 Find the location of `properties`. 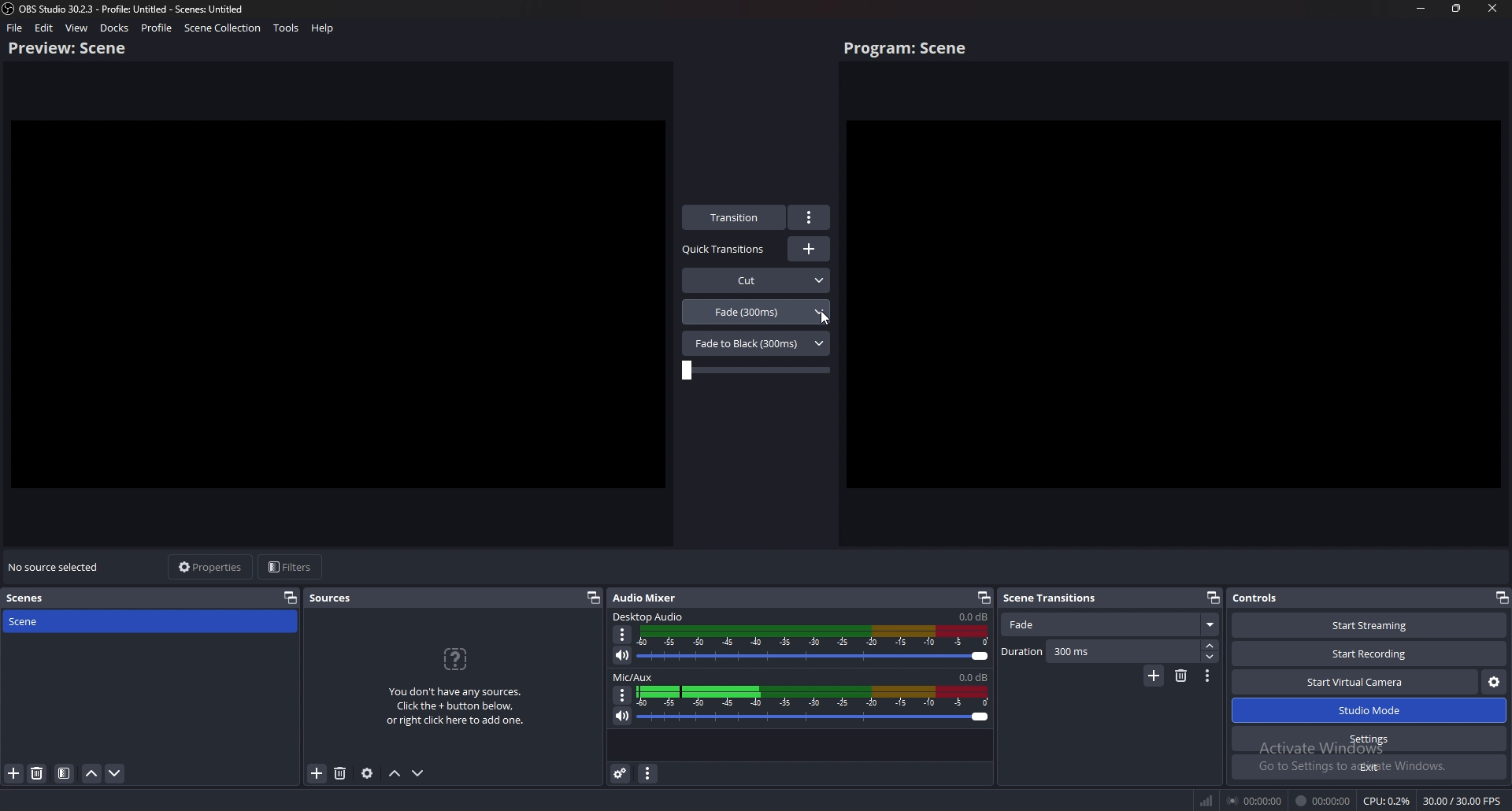

properties is located at coordinates (213, 567).